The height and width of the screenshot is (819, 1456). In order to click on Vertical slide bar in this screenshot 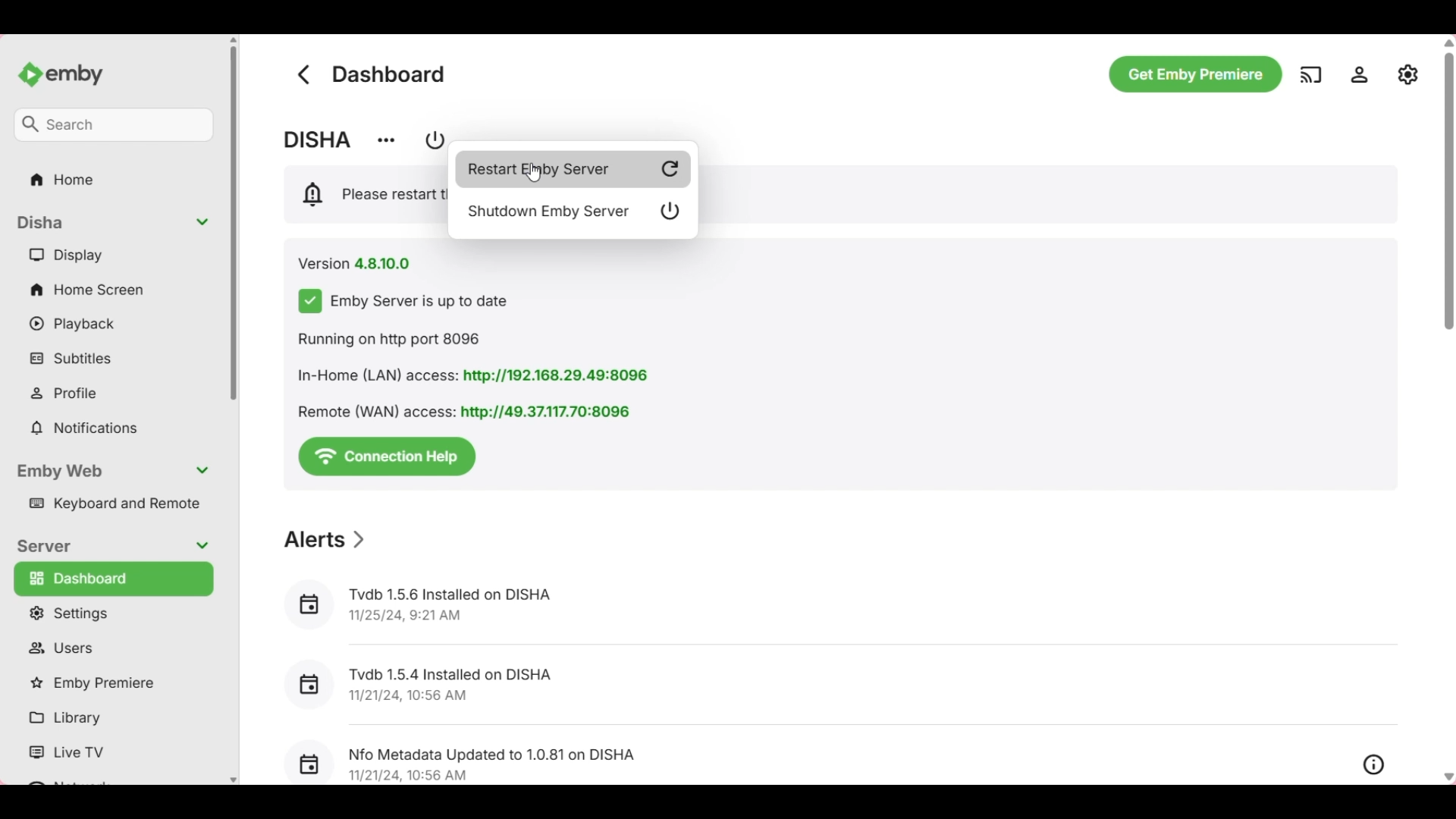, I will do `click(1448, 184)`.